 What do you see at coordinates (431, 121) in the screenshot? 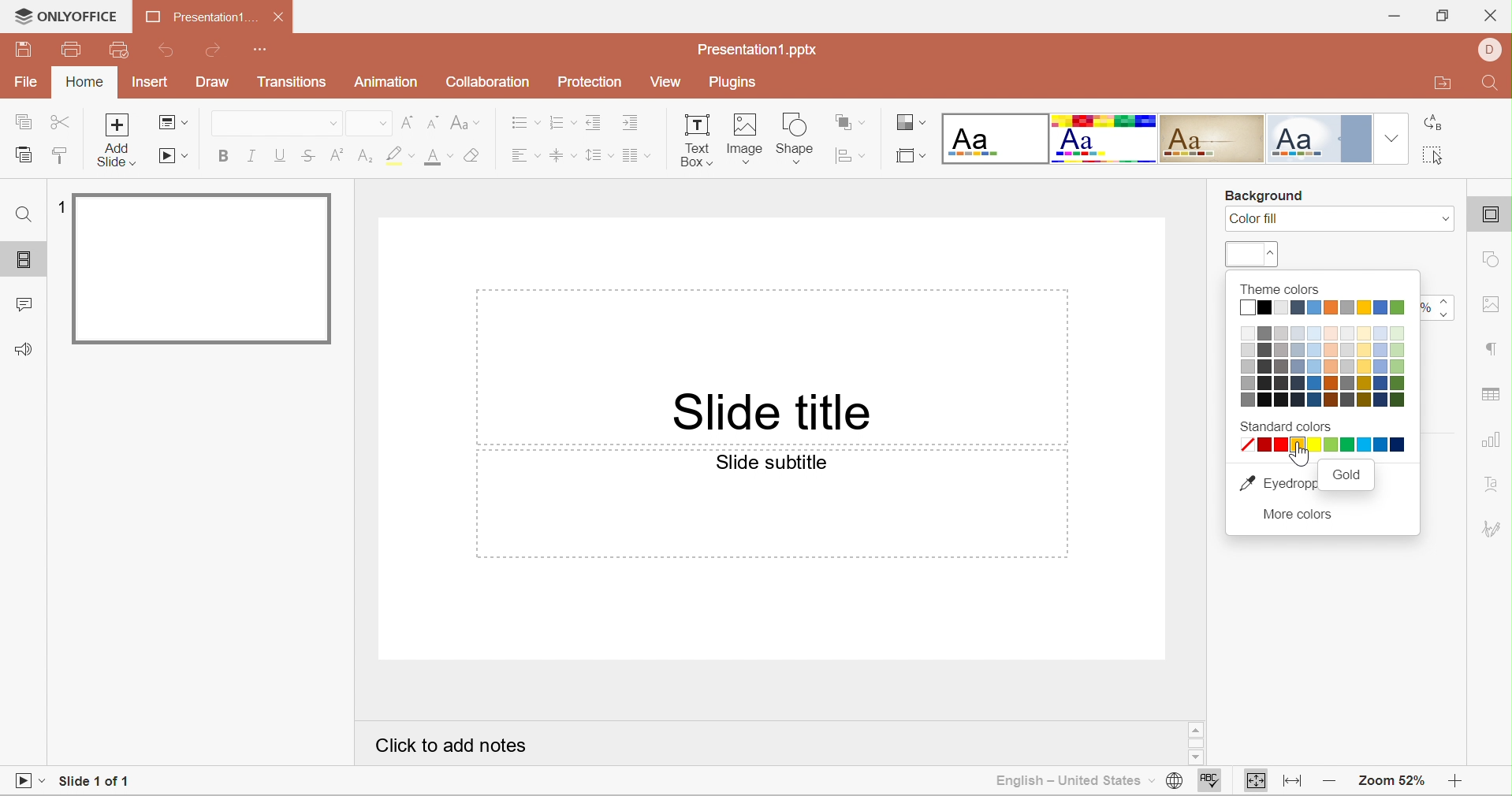
I see `Decrement font size` at bounding box center [431, 121].